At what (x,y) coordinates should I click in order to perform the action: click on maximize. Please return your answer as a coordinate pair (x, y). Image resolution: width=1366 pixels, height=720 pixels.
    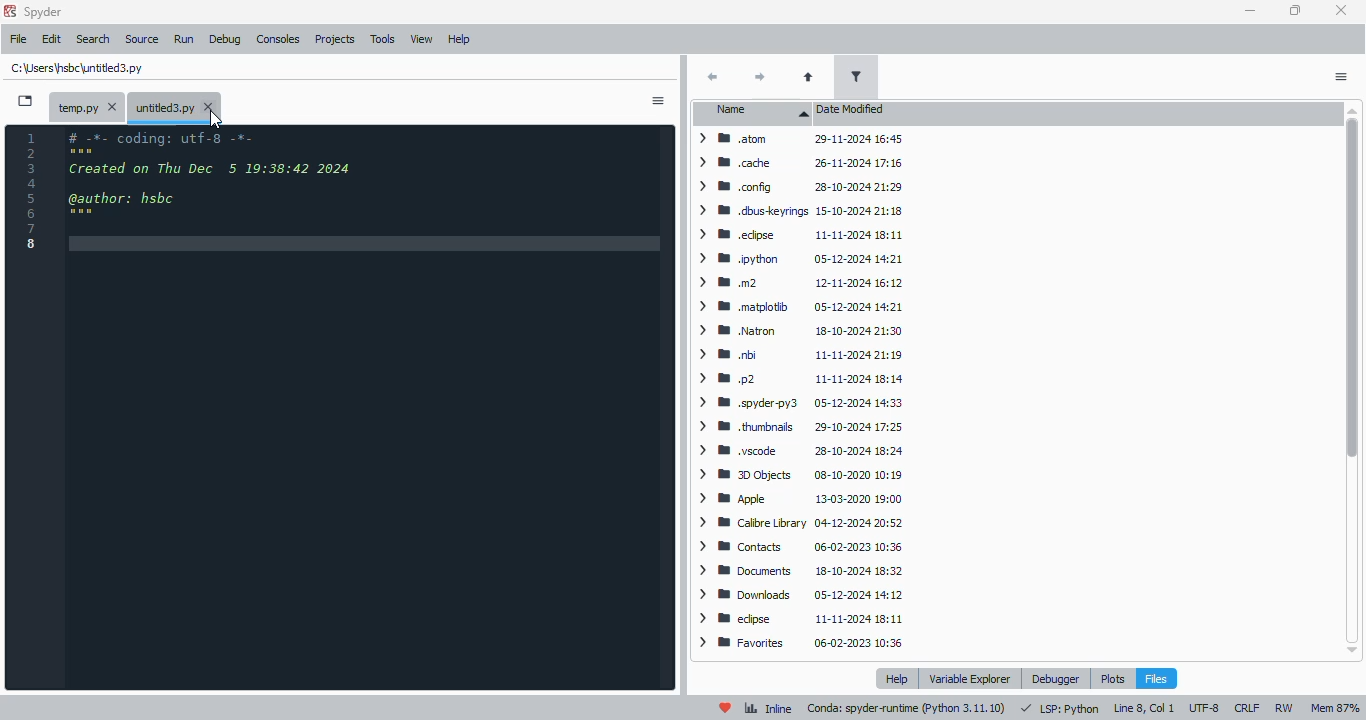
    Looking at the image, I should click on (1296, 10).